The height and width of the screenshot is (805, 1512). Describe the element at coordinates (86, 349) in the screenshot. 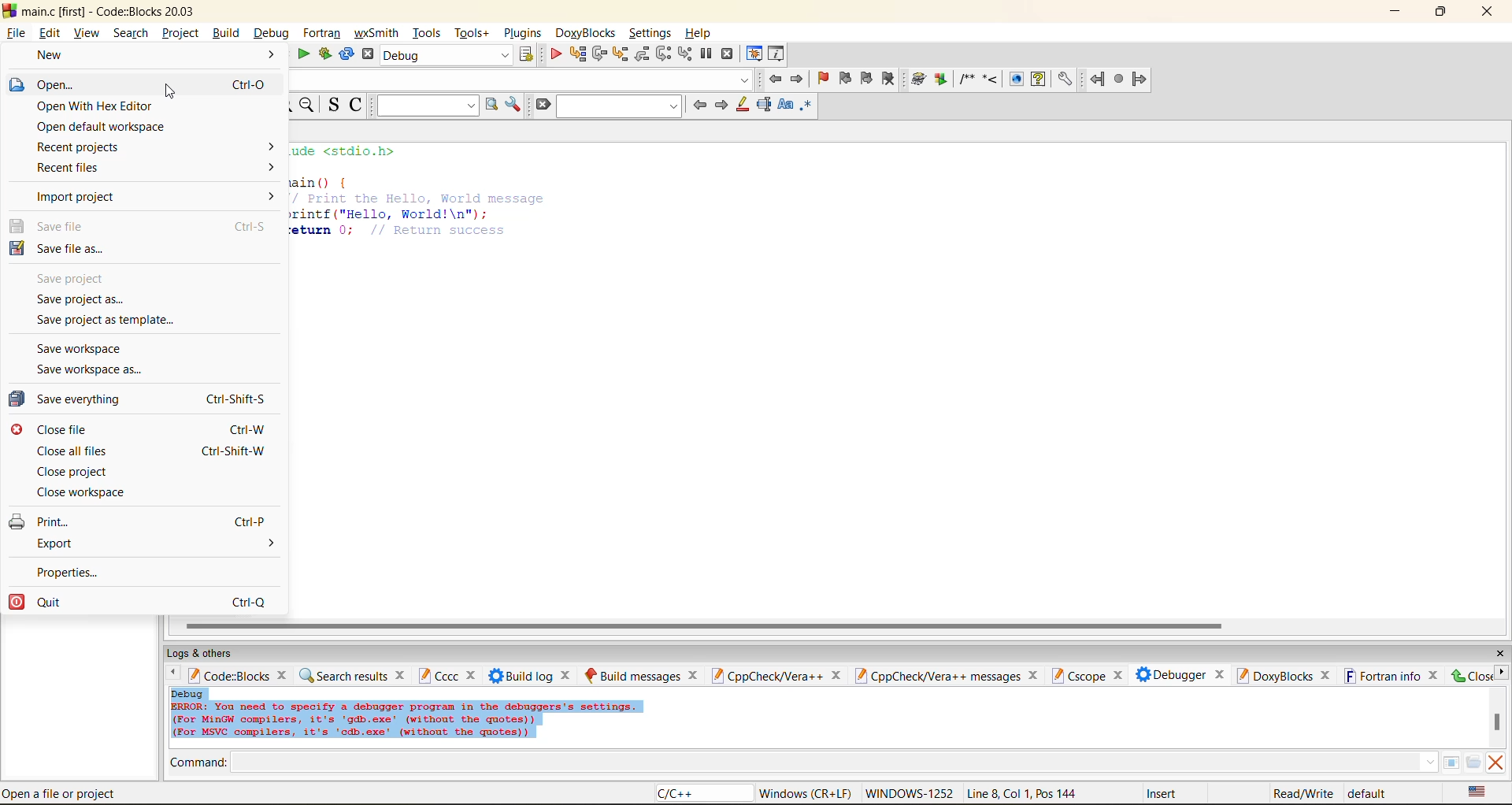

I see `save workspace` at that location.